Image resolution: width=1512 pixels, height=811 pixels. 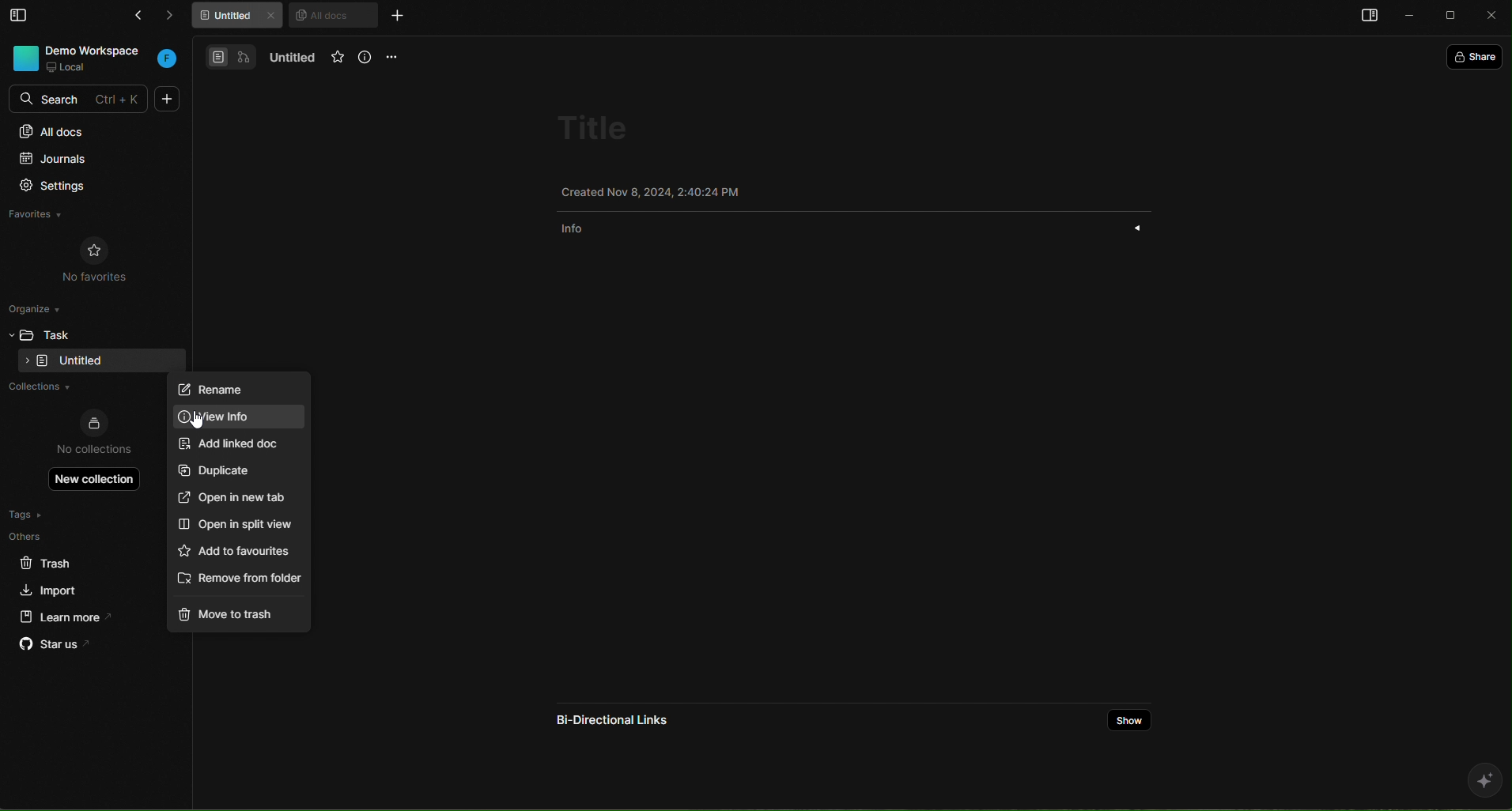 I want to click on untitled, so click(x=289, y=58).